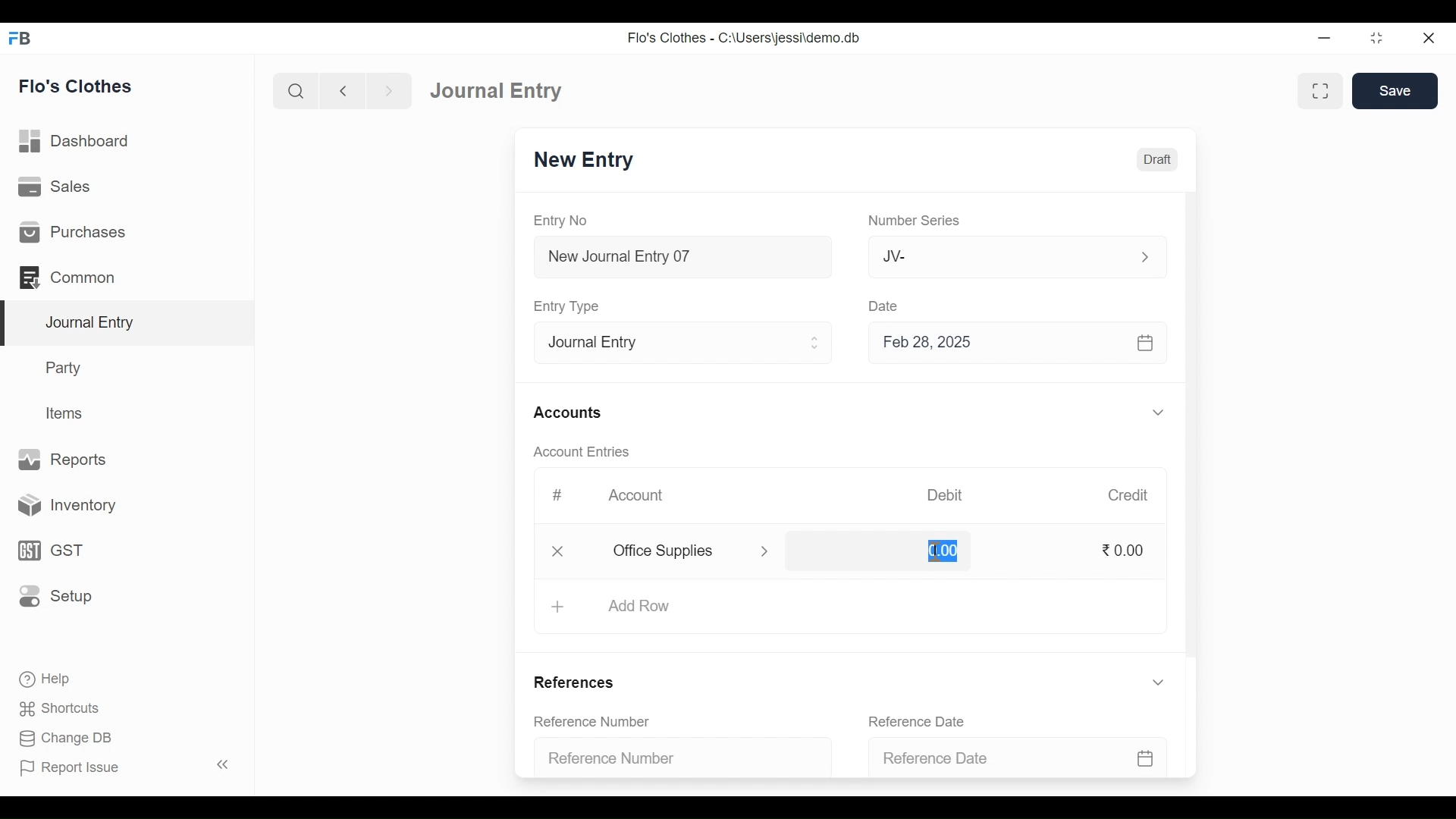 The width and height of the screenshot is (1456, 819). Describe the element at coordinates (943, 495) in the screenshot. I see `Debit` at that location.